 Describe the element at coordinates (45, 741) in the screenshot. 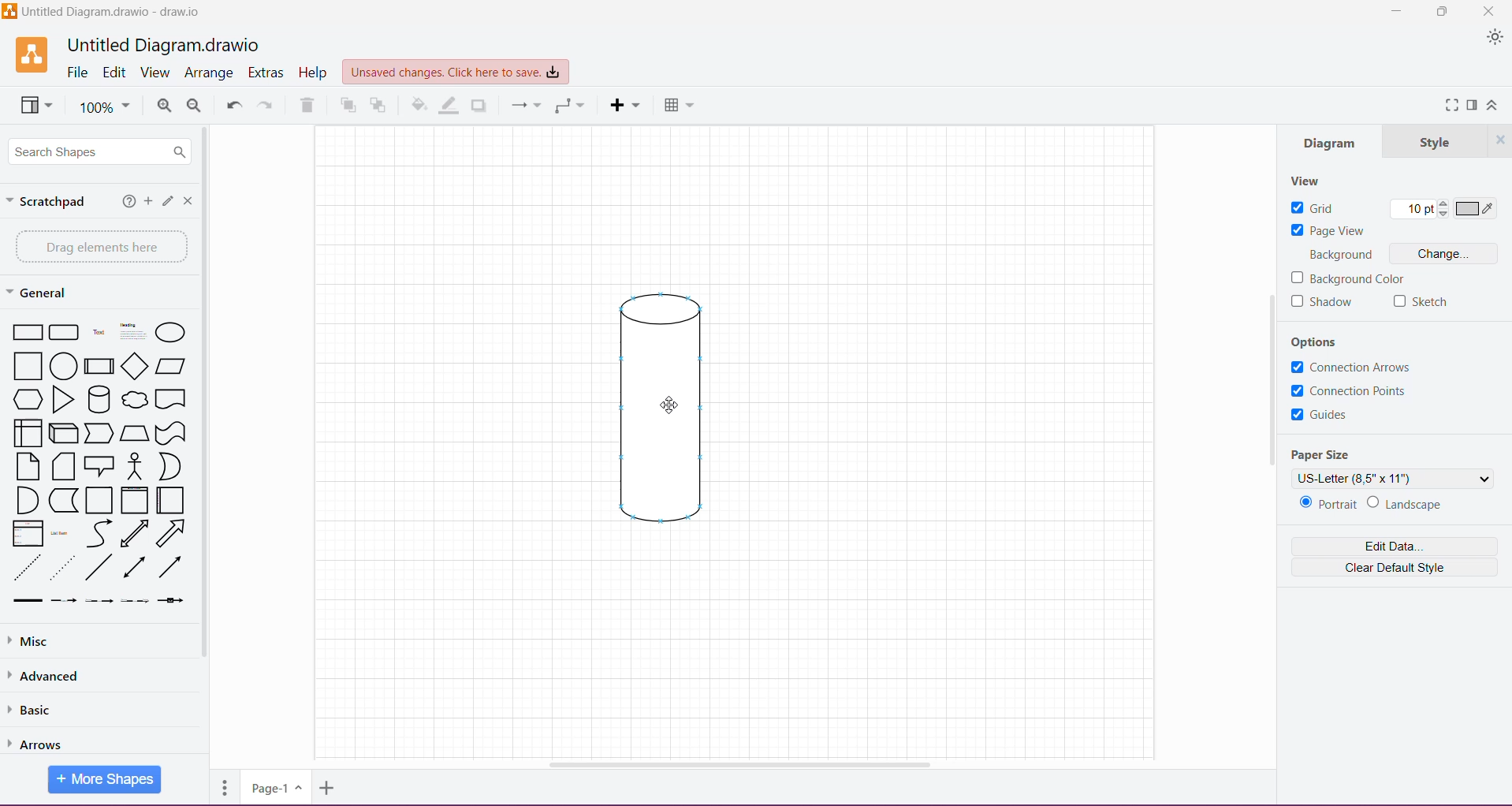

I see `Arrows` at that location.